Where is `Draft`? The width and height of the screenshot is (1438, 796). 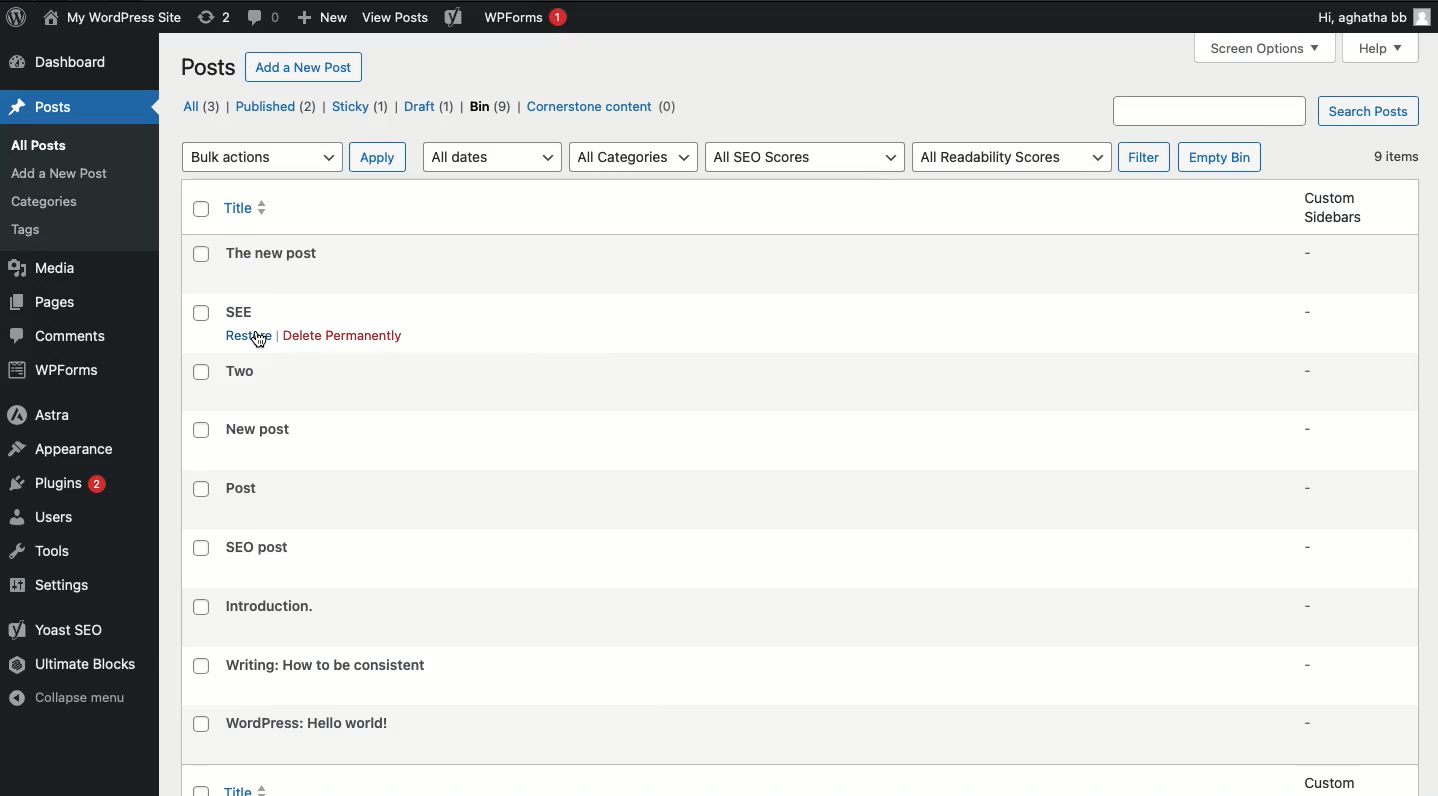
Draft is located at coordinates (428, 108).